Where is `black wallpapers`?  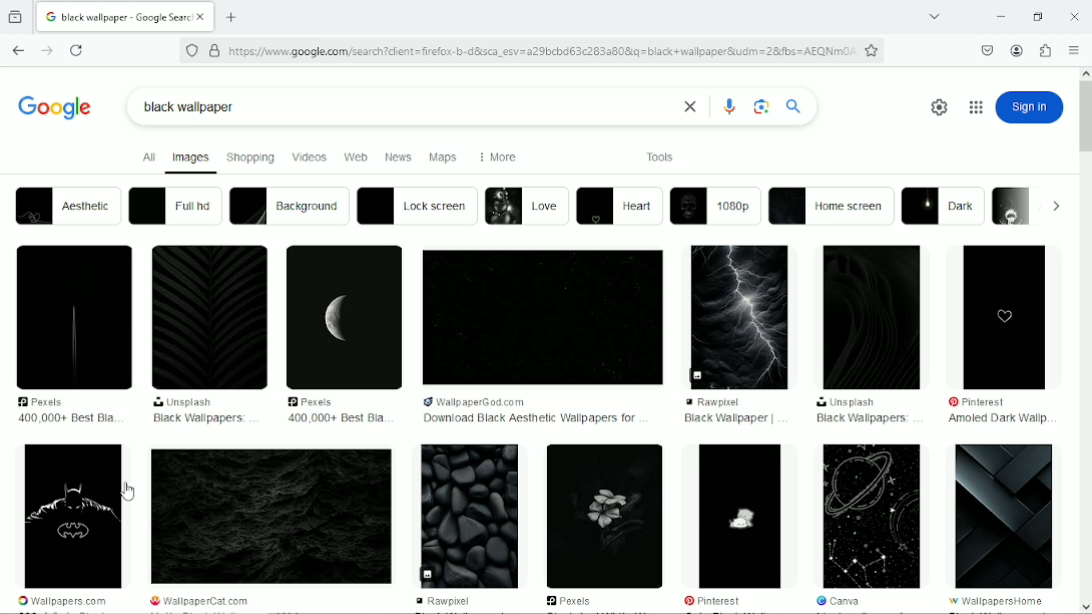 black wallpapers is located at coordinates (200, 419).